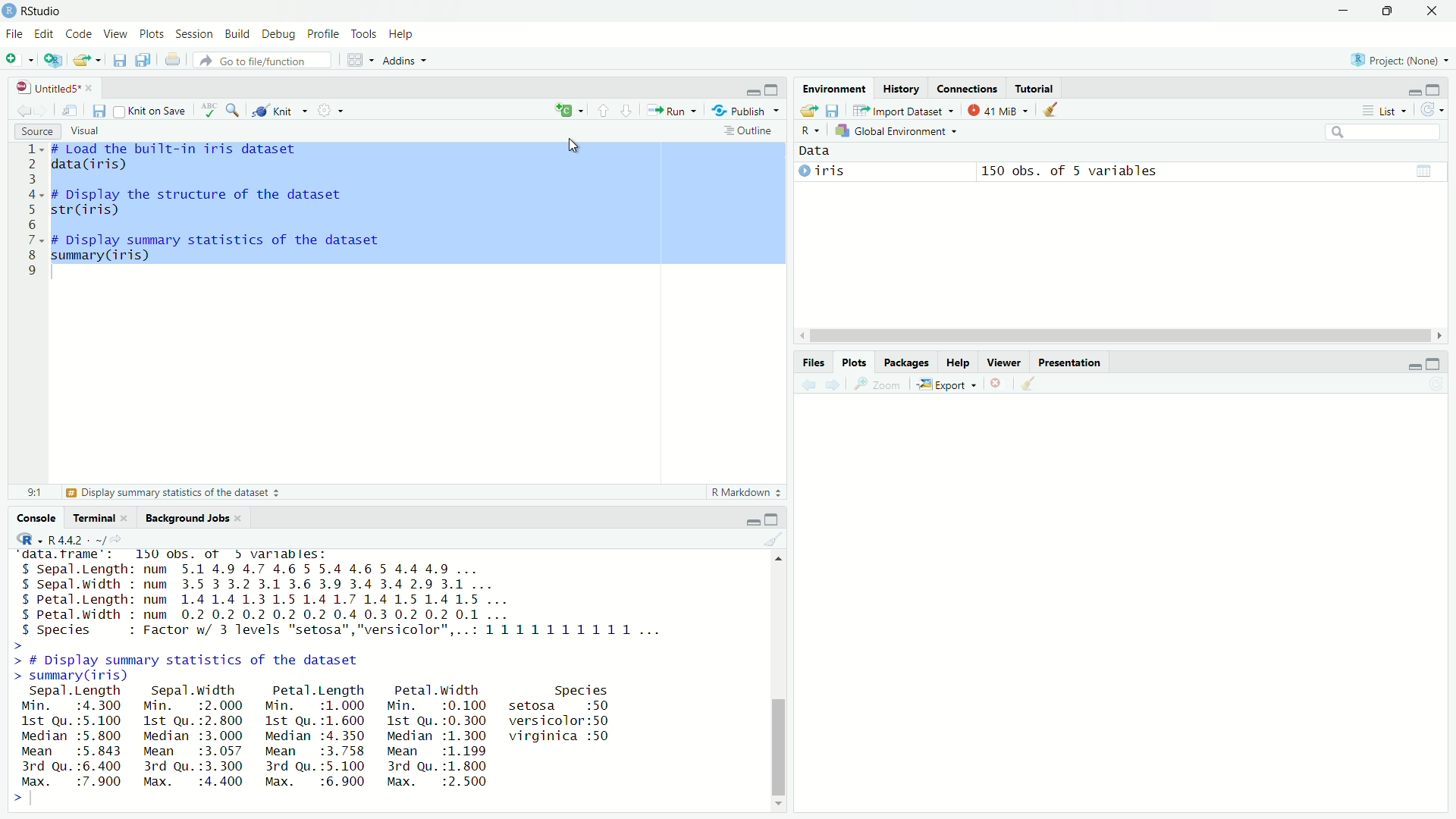 The image size is (1456, 819). I want to click on platrorm: x¥b_b4-wb4-mingwiZ/xo4R is free software and comes with ABSOLUTELY NO WARRANTY.You are welcome to redistribute it under certain conditions.Type 'license()' or 'licence()' for distribution details.Natural language support but running in an English localeR is a collaborative project with many contributors.Type 'contributors()' for more information and‘citation()' on how to cite R or R packages in publications.Type 'demo()' for some demos, 'help()' for on-line help, or'help.start()"' for an HTML browser interface to help.Type 'qQ)' to quit R, so click(383, 680).